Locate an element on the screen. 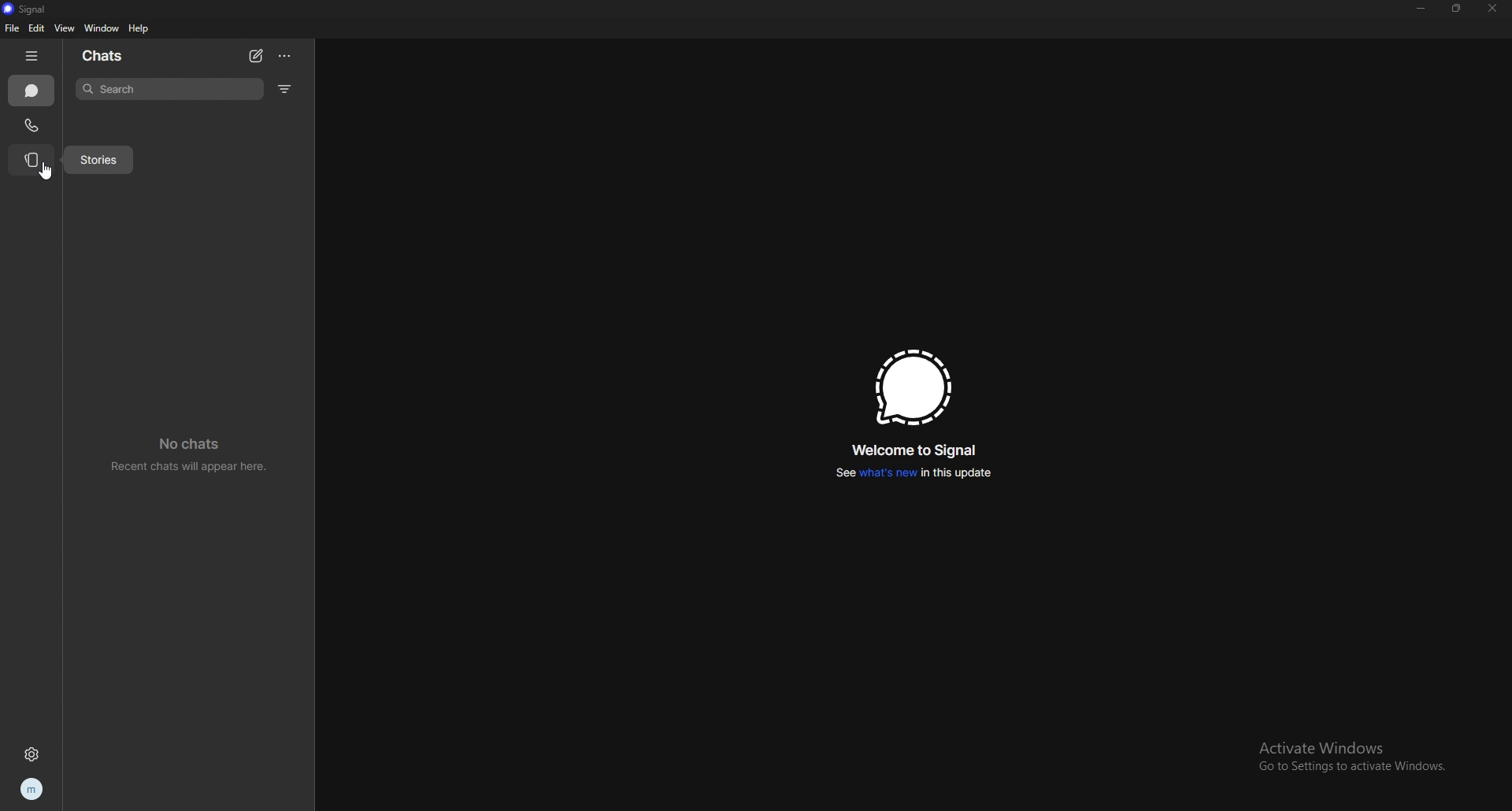 This screenshot has height=811, width=1512. view is located at coordinates (63, 28).